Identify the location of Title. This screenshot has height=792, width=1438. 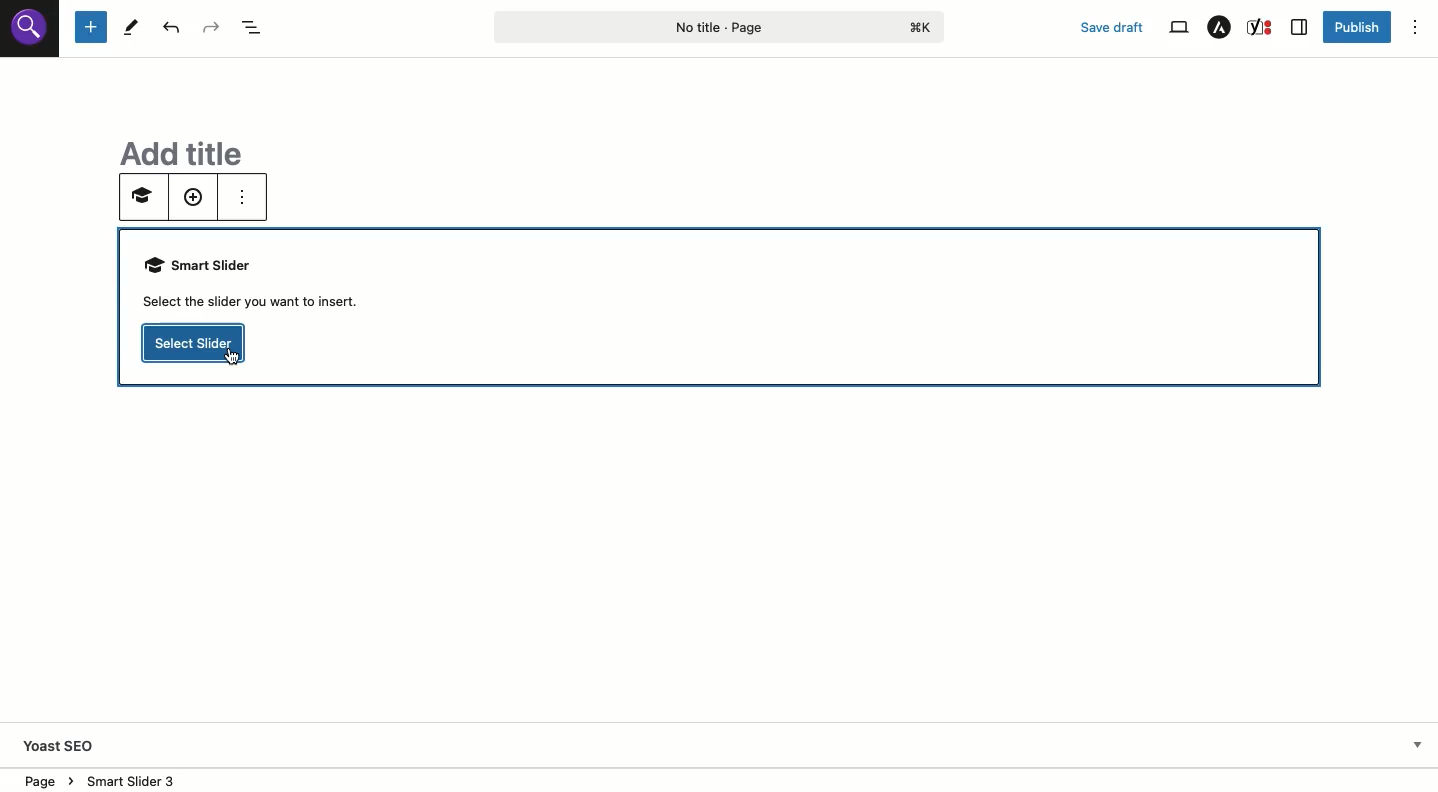
(172, 150).